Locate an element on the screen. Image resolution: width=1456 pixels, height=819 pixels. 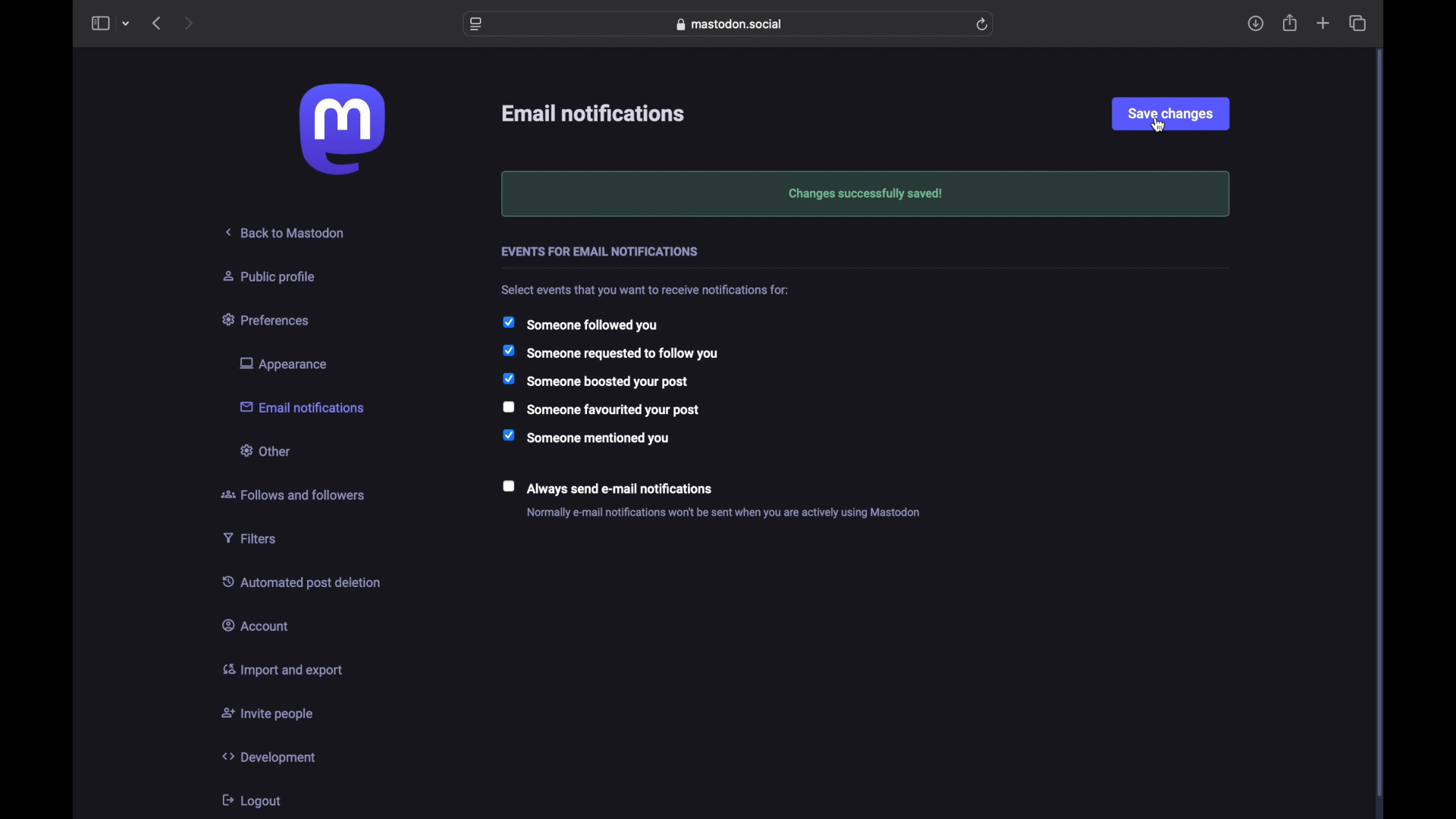
other is located at coordinates (264, 450).